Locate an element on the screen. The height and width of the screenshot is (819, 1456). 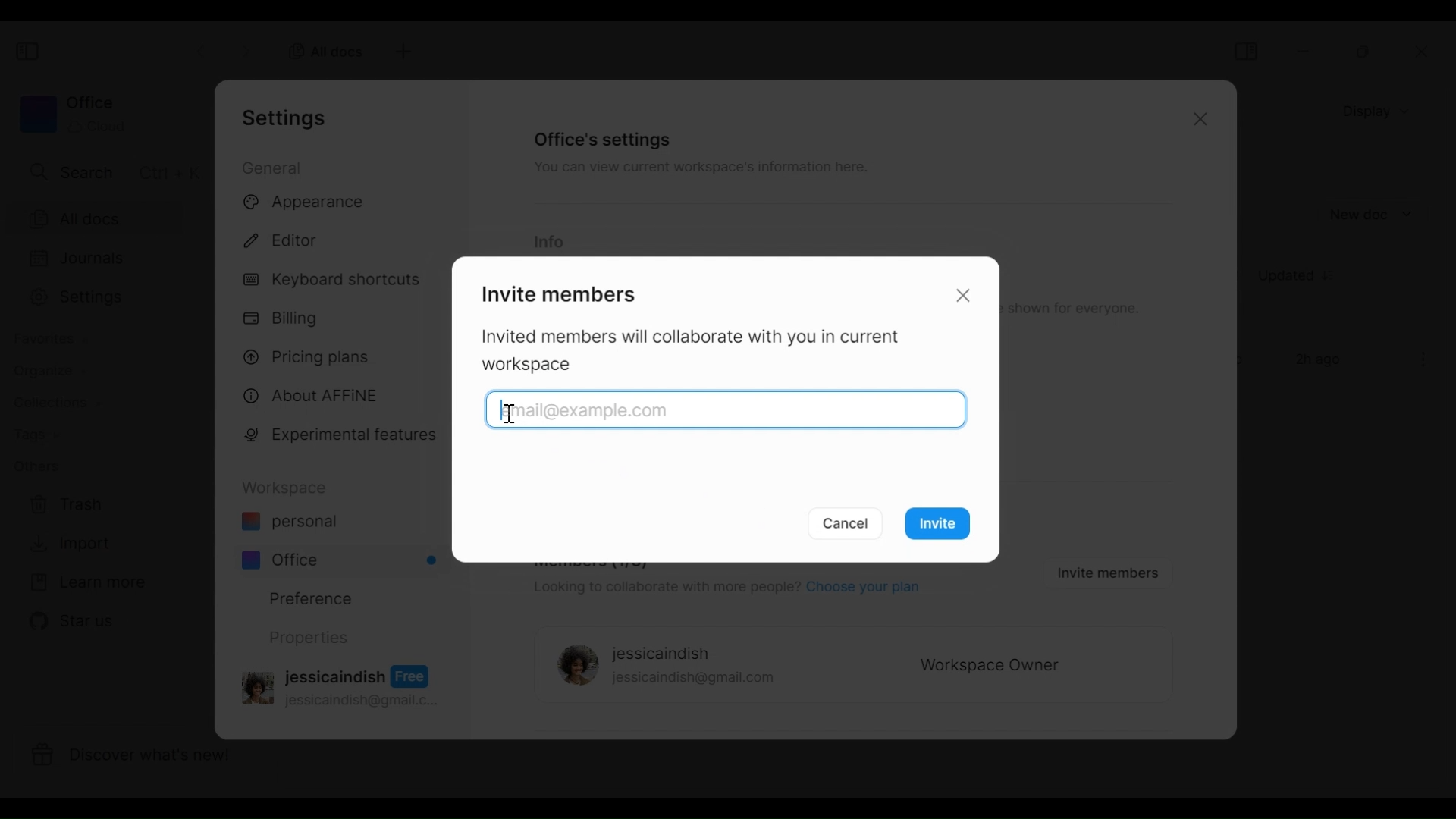
More options is located at coordinates (1424, 359).